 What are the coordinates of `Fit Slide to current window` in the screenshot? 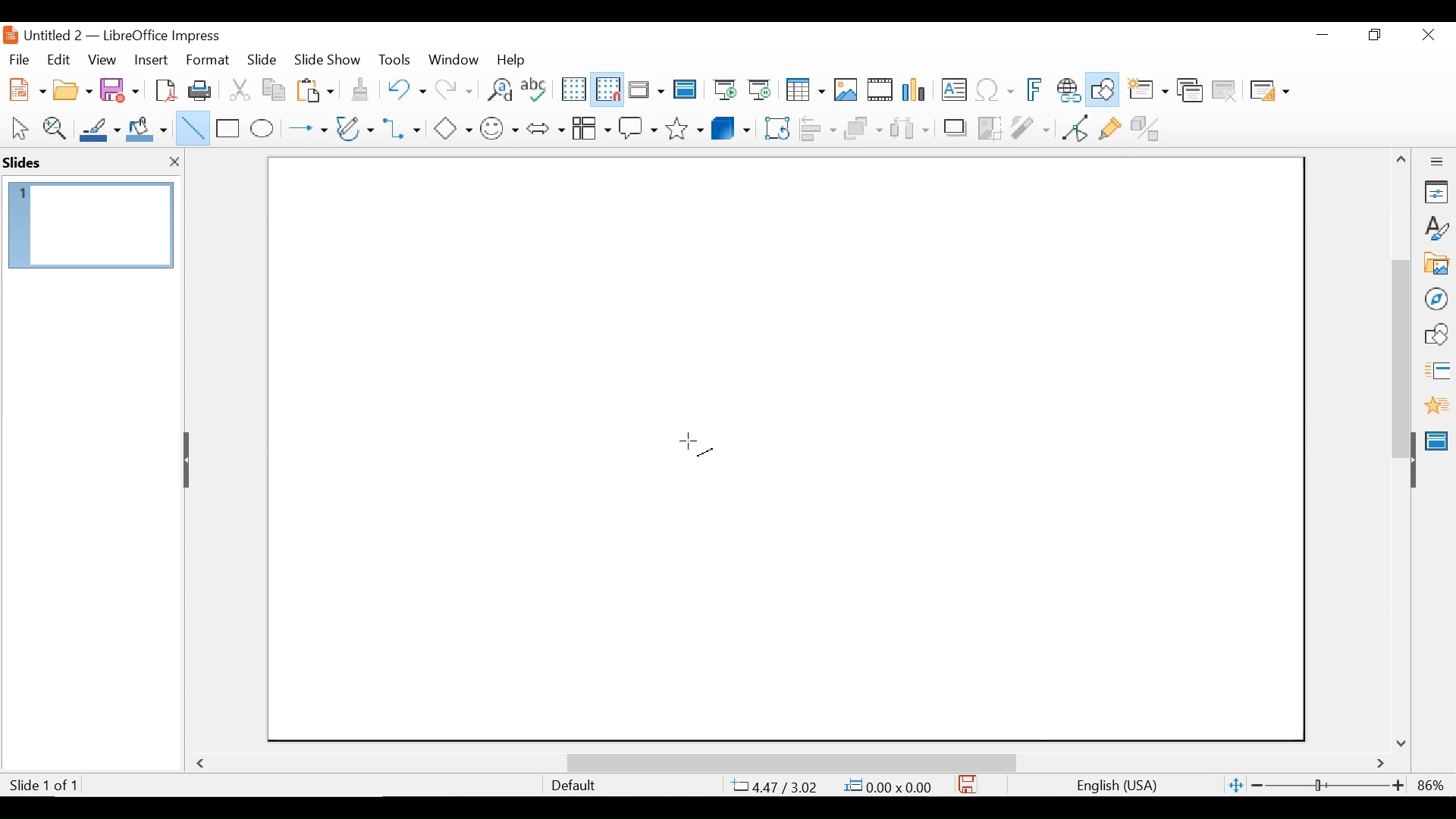 It's located at (1236, 786).